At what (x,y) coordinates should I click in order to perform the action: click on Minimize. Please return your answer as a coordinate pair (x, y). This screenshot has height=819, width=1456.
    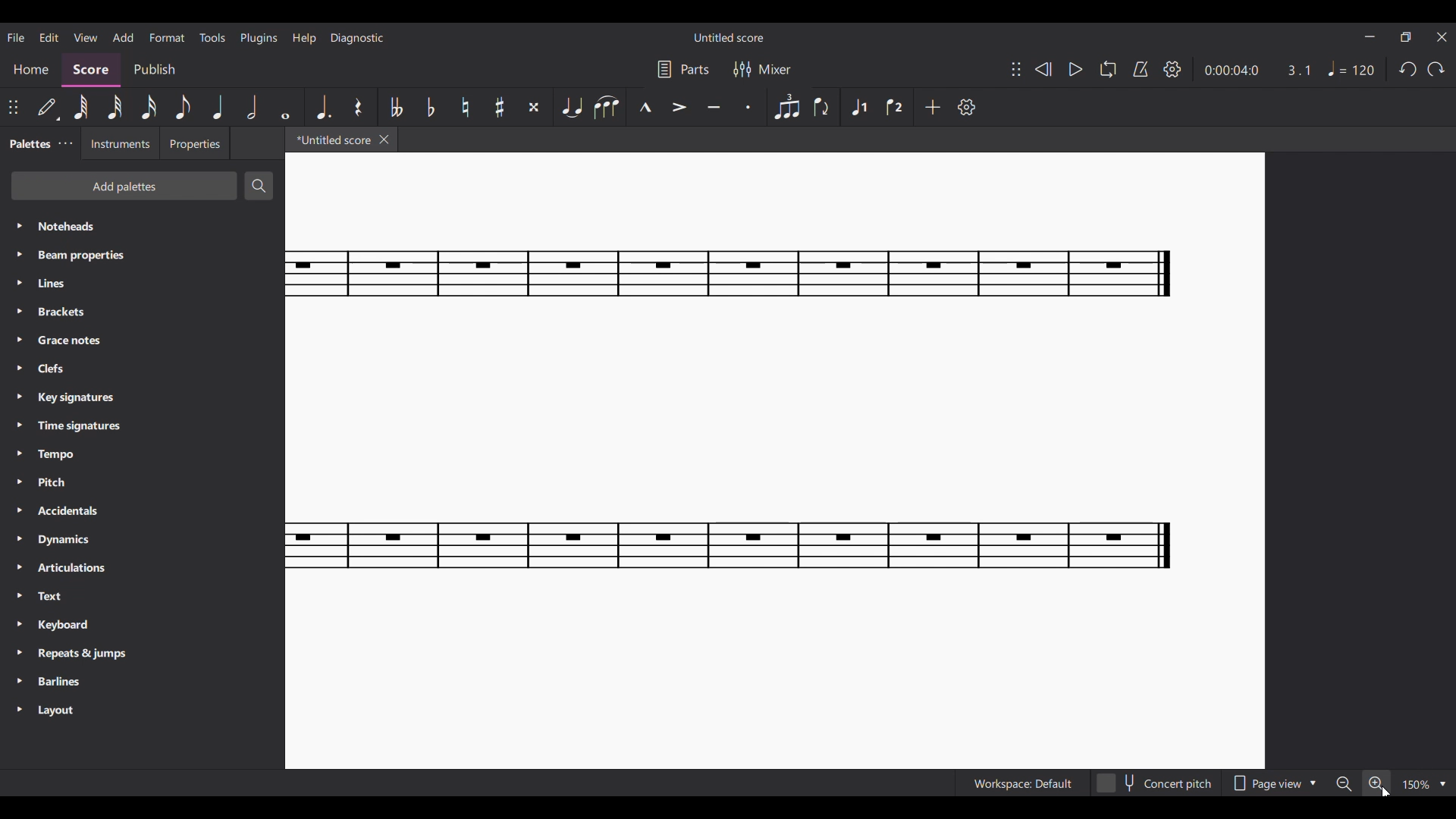
    Looking at the image, I should click on (1370, 37).